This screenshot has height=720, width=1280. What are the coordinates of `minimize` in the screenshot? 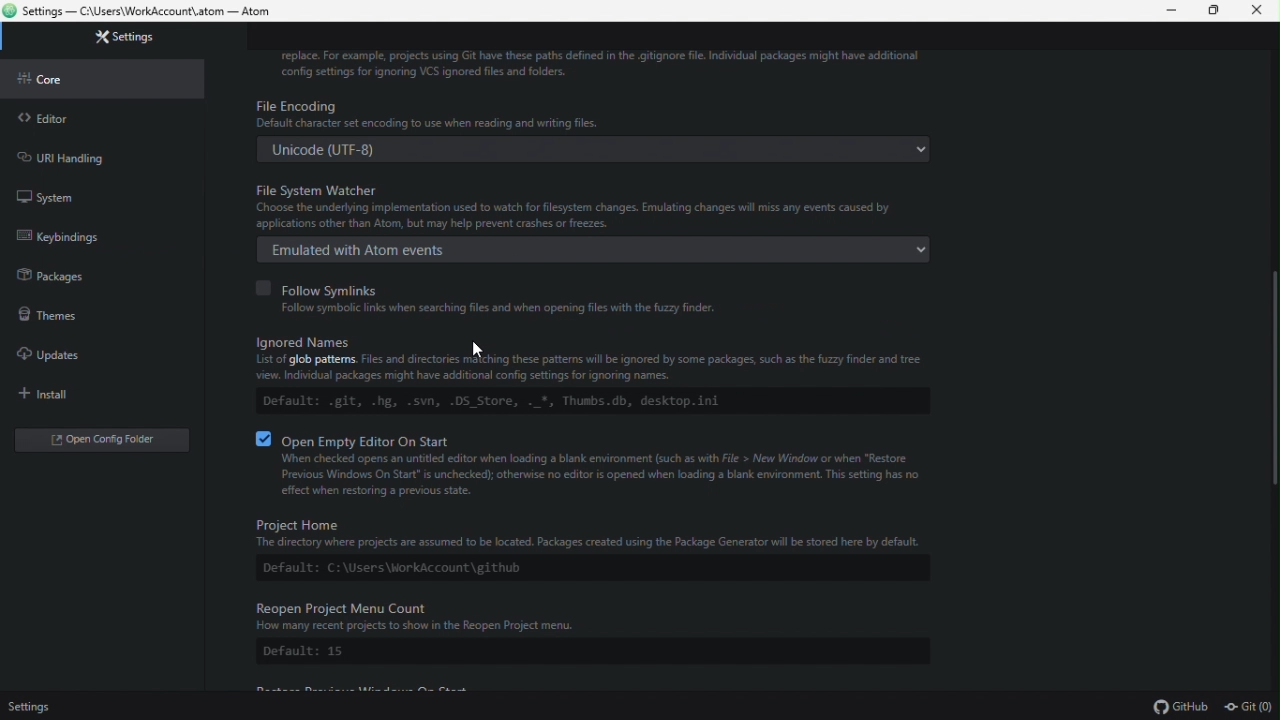 It's located at (1162, 11).